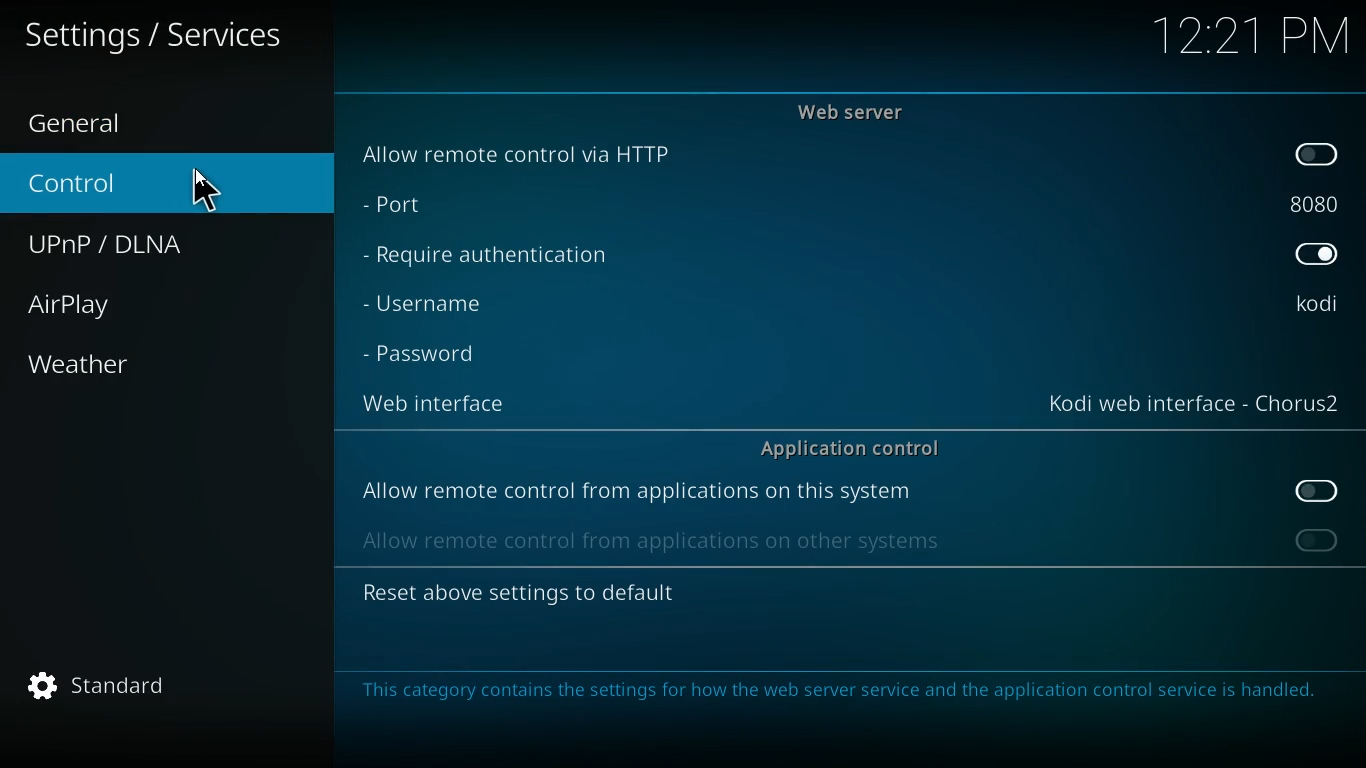  I want to click on require authentication, so click(484, 260).